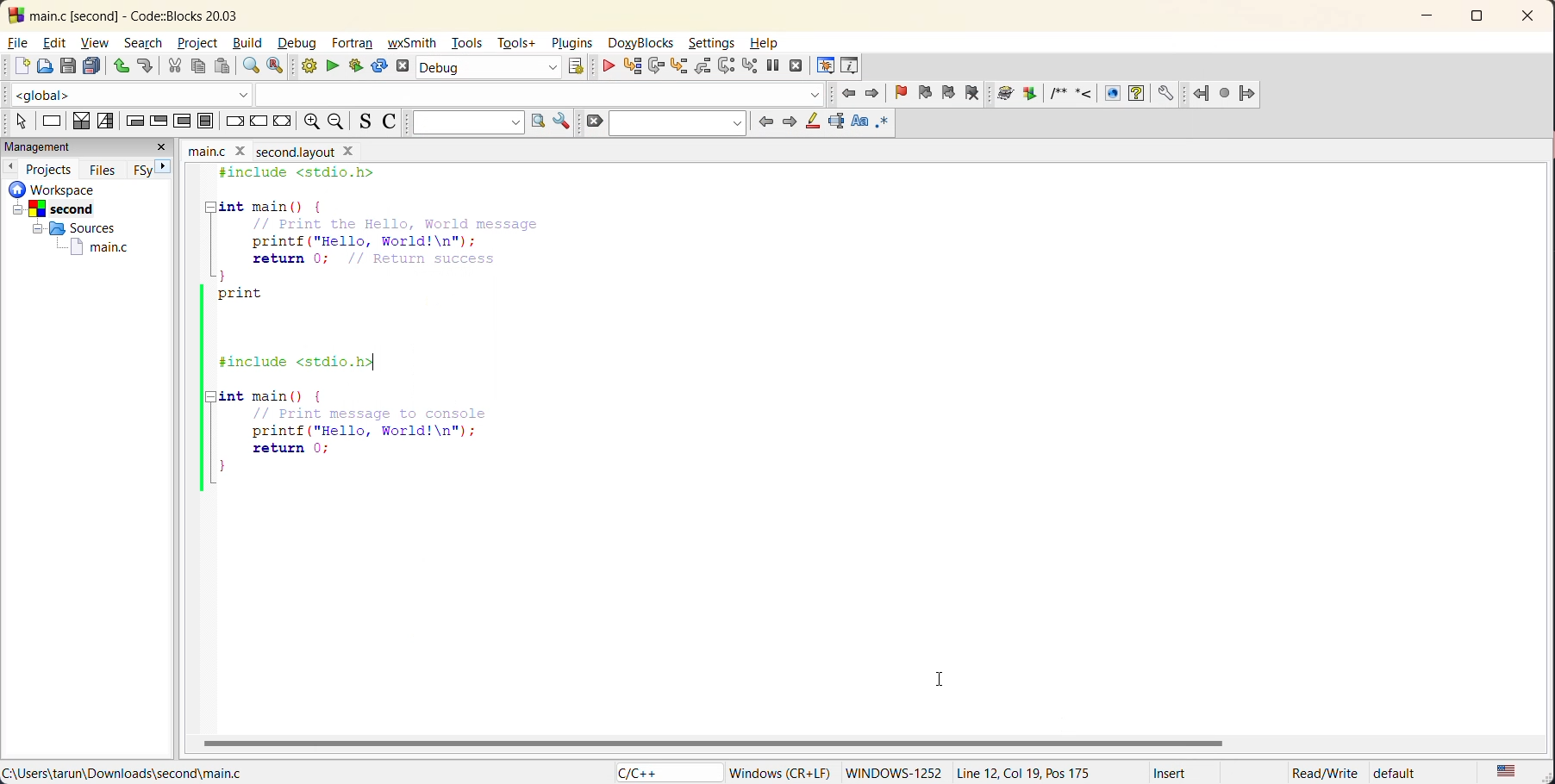 The height and width of the screenshot is (784, 1555). Describe the element at coordinates (466, 42) in the screenshot. I see `tools` at that location.